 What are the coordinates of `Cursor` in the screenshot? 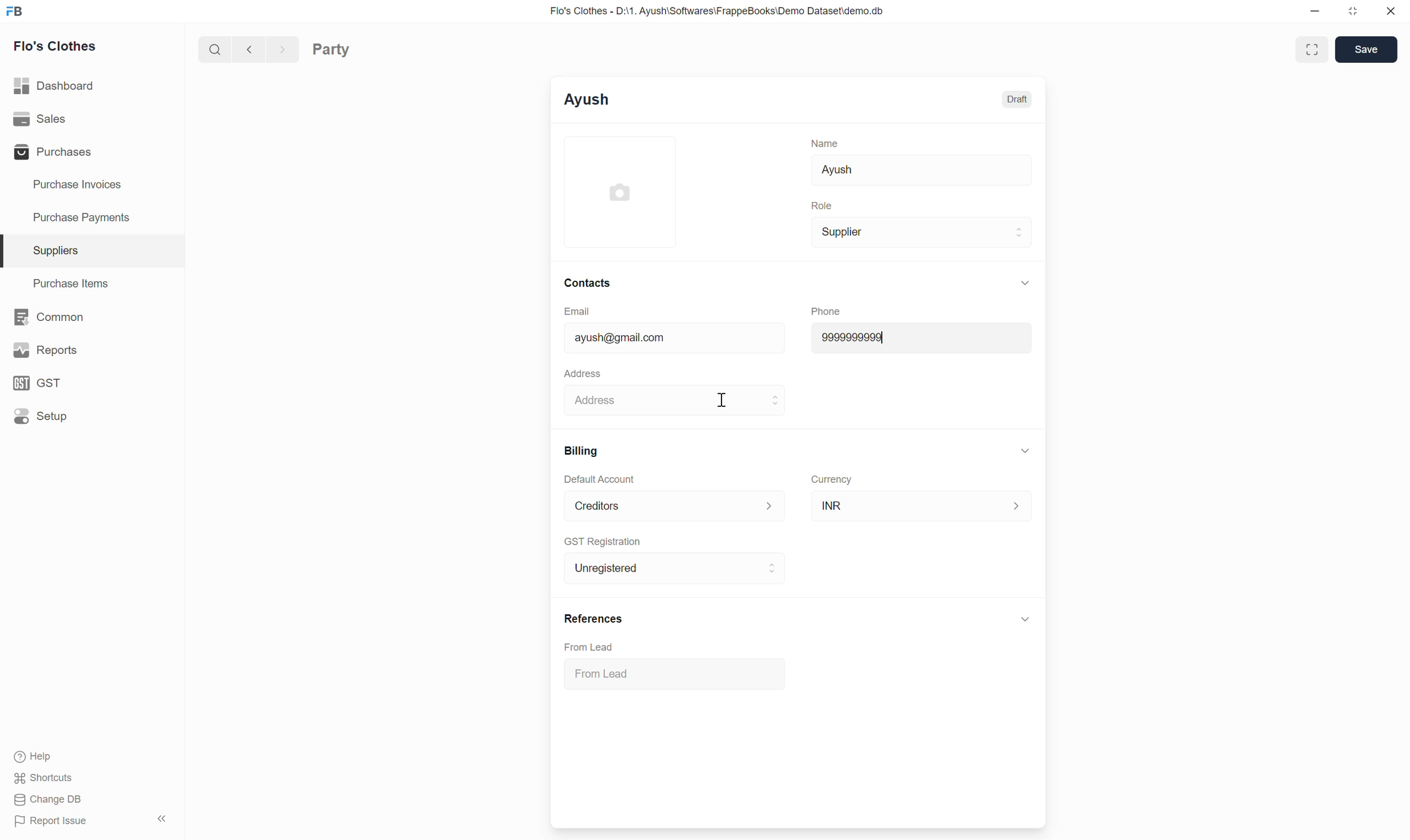 It's located at (722, 400).